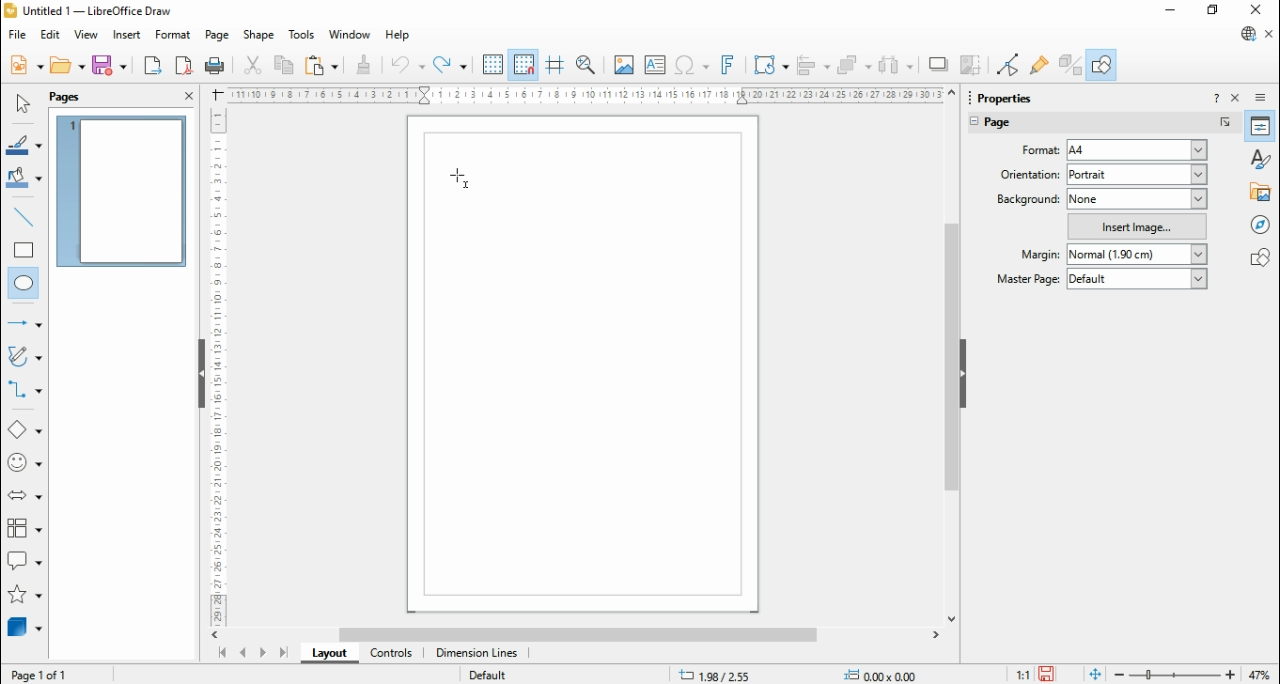 Image resolution: width=1280 pixels, height=684 pixels. What do you see at coordinates (1038, 254) in the screenshot?
I see `margin` at bounding box center [1038, 254].